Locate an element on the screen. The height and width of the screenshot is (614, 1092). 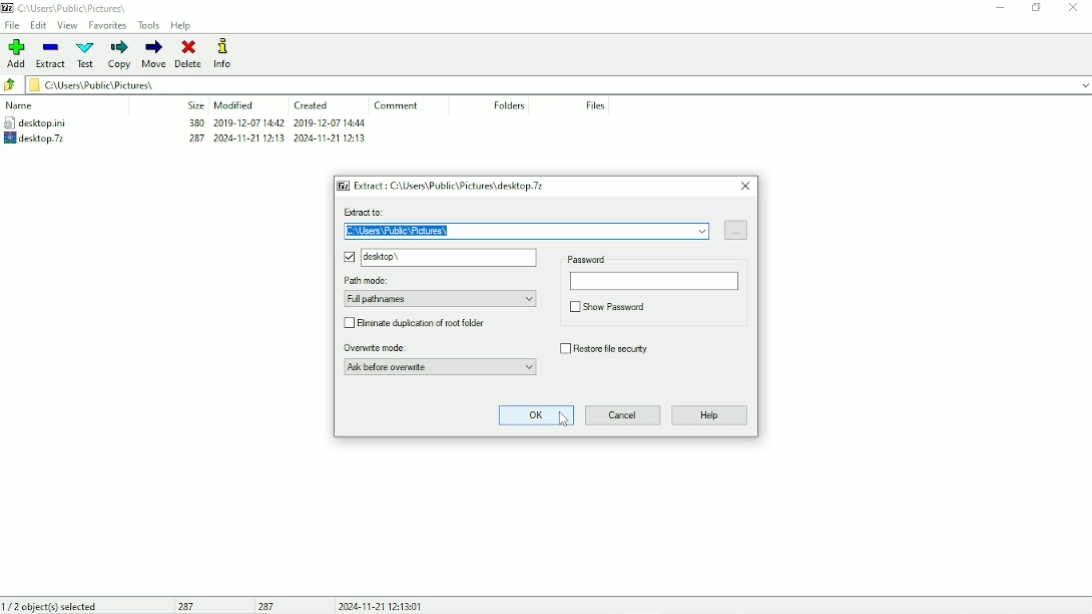
Help is located at coordinates (711, 415).